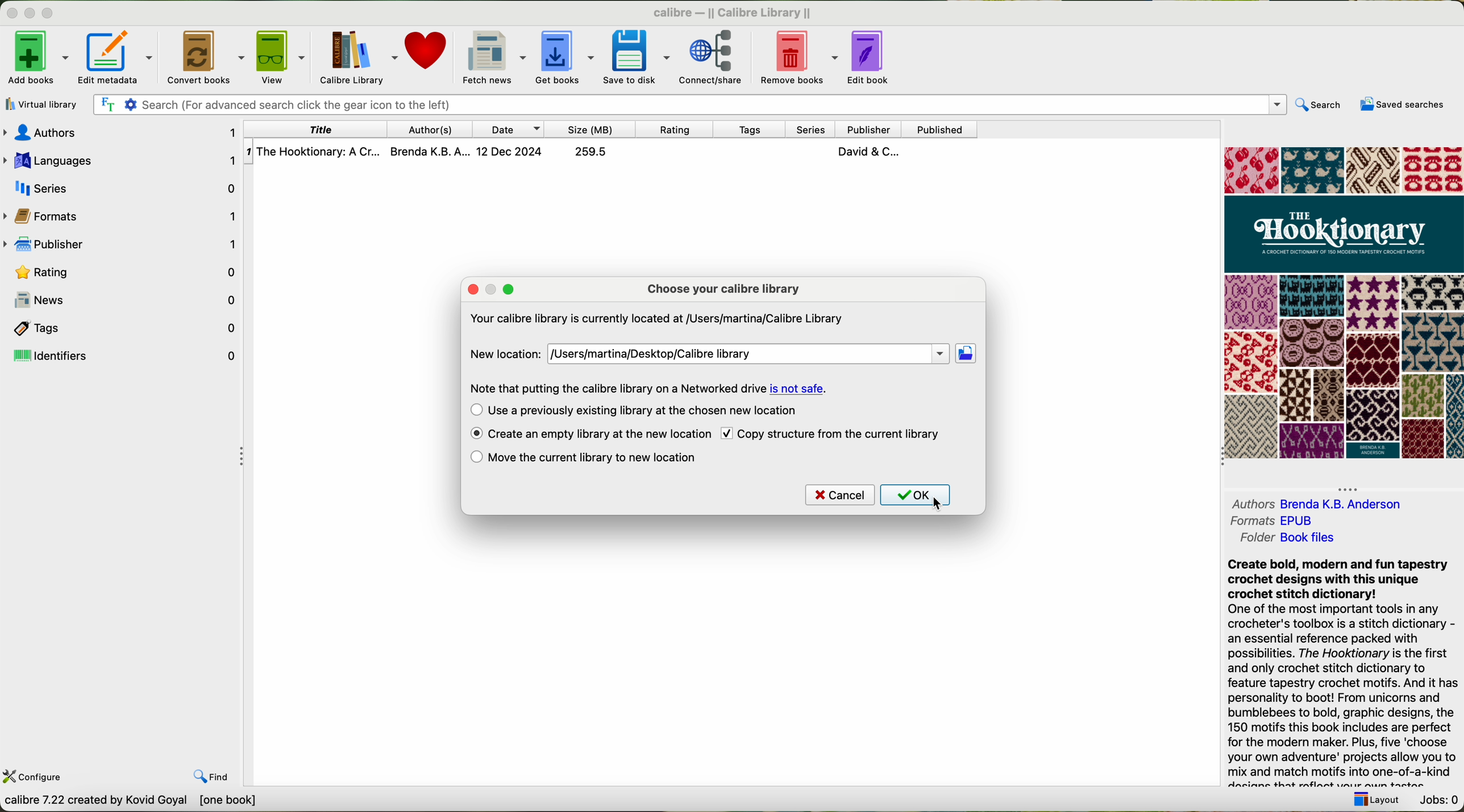  I want to click on Note that putting the calibre library on a Networked drive is not safe., so click(653, 386).